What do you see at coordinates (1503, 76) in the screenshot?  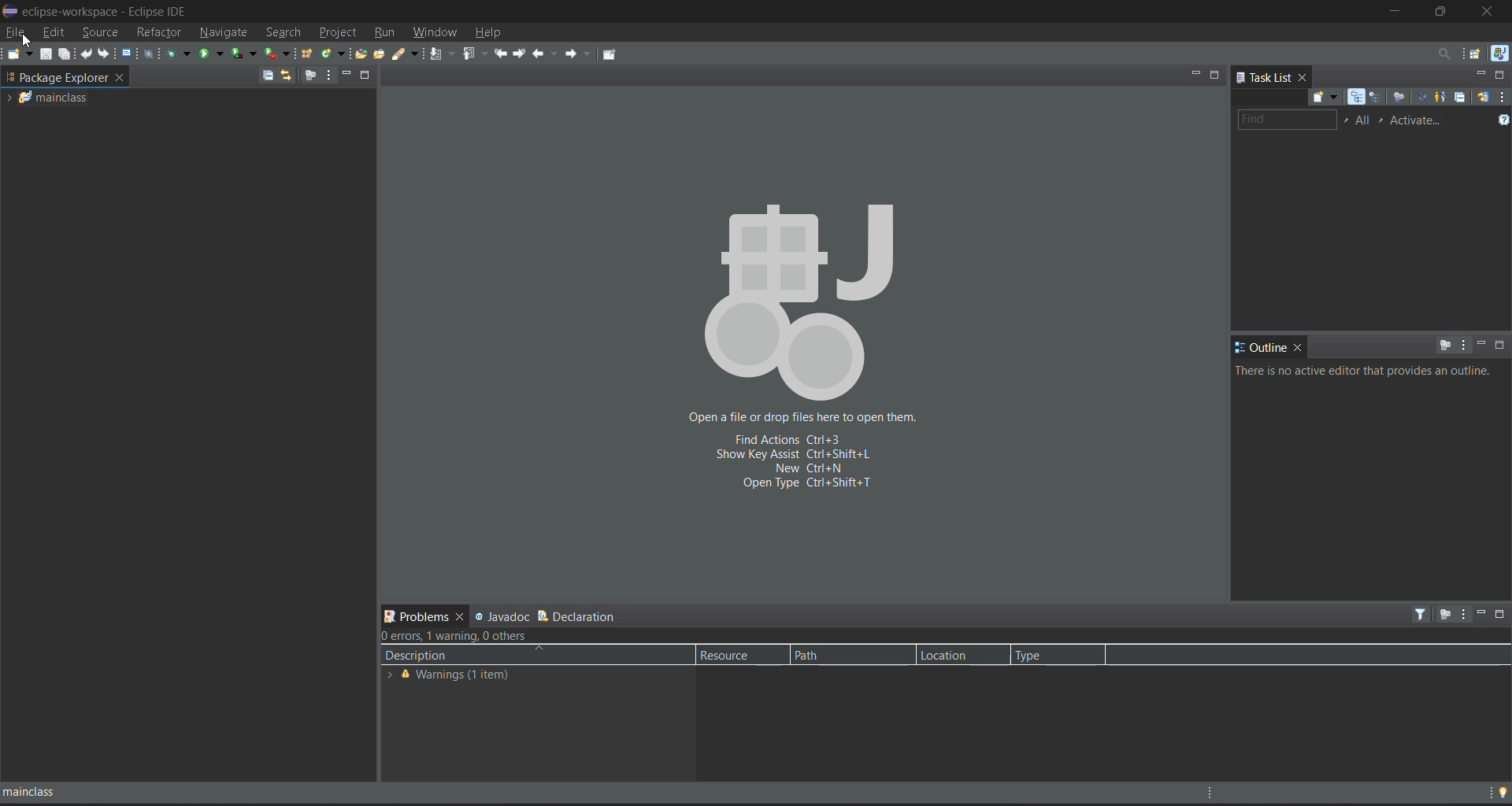 I see `maximize` at bounding box center [1503, 76].